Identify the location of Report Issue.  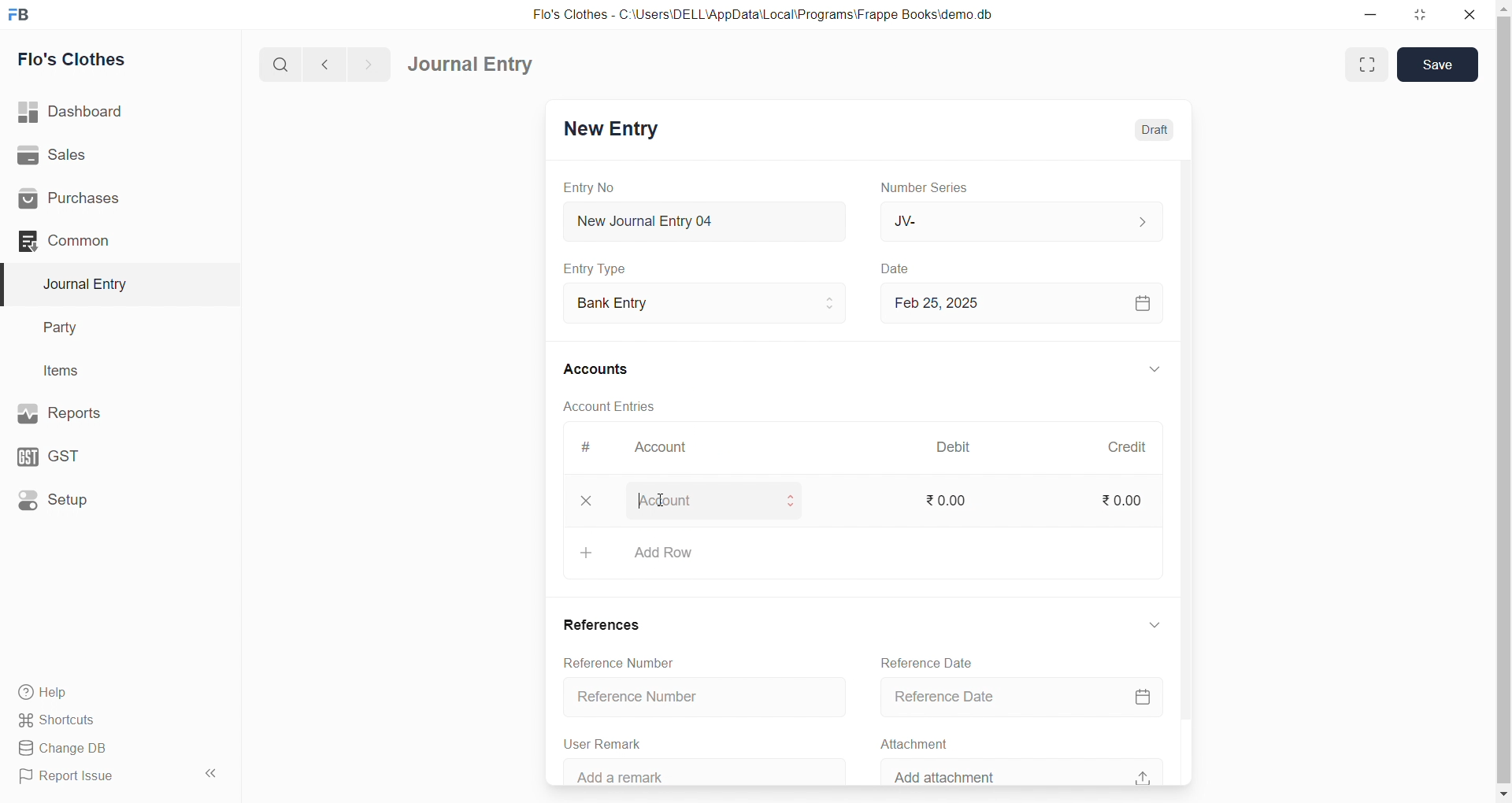
(98, 776).